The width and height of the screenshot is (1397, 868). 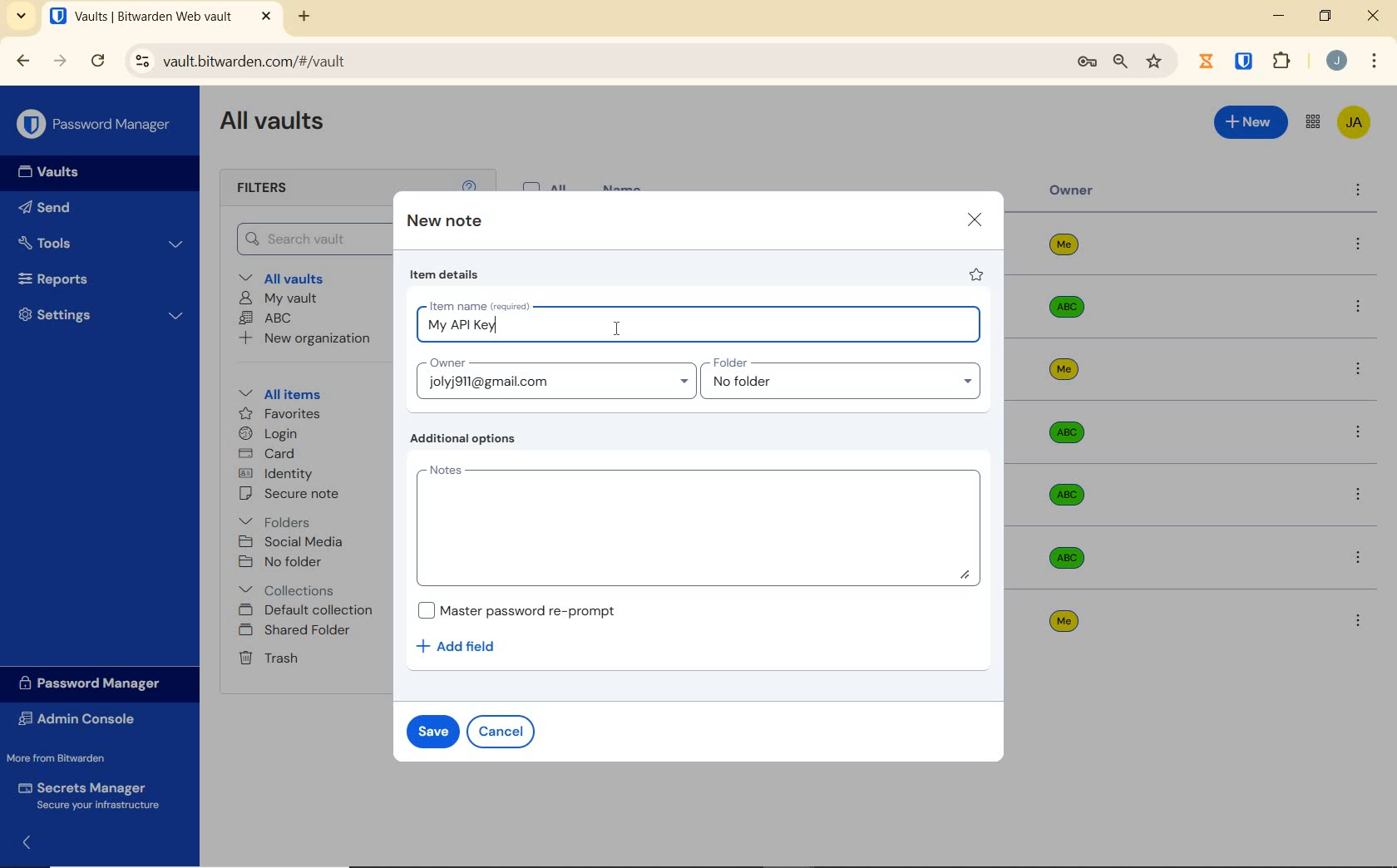 I want to click on save, so click(x=433, y=730).